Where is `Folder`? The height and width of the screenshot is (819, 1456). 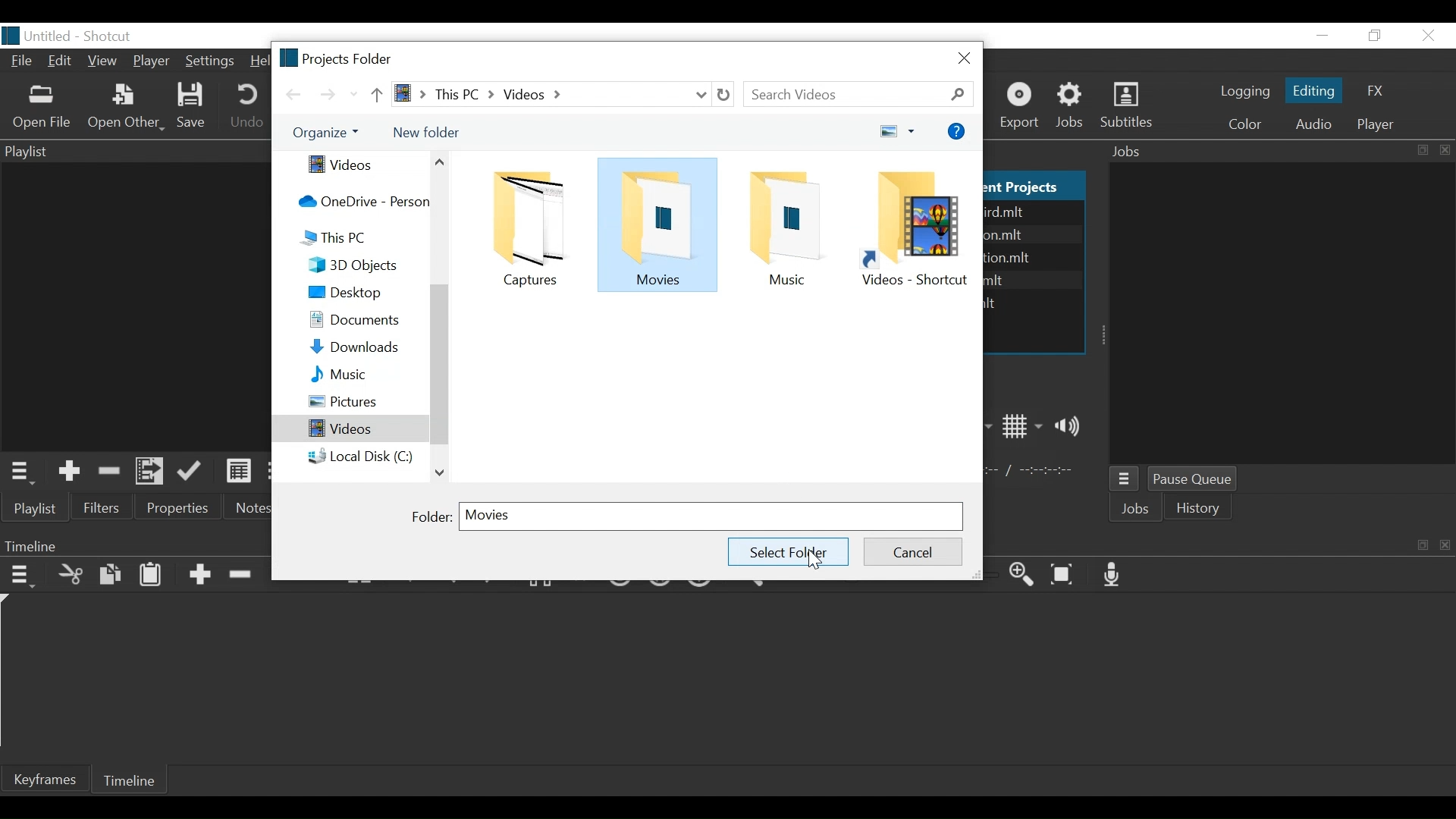
Folder is located at coordinates (908, 228).